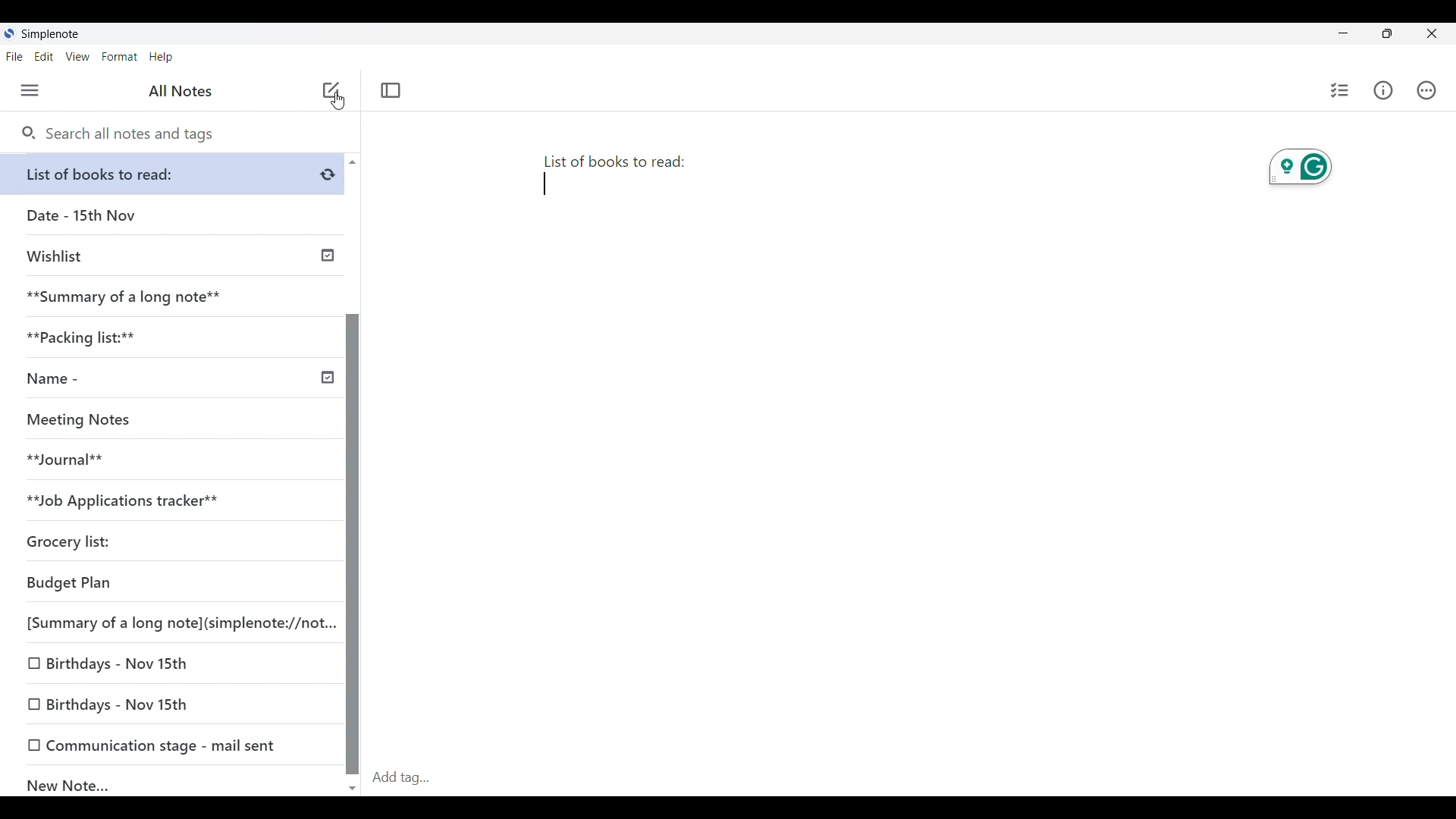  I want to click on Menu, so click(30, 91).